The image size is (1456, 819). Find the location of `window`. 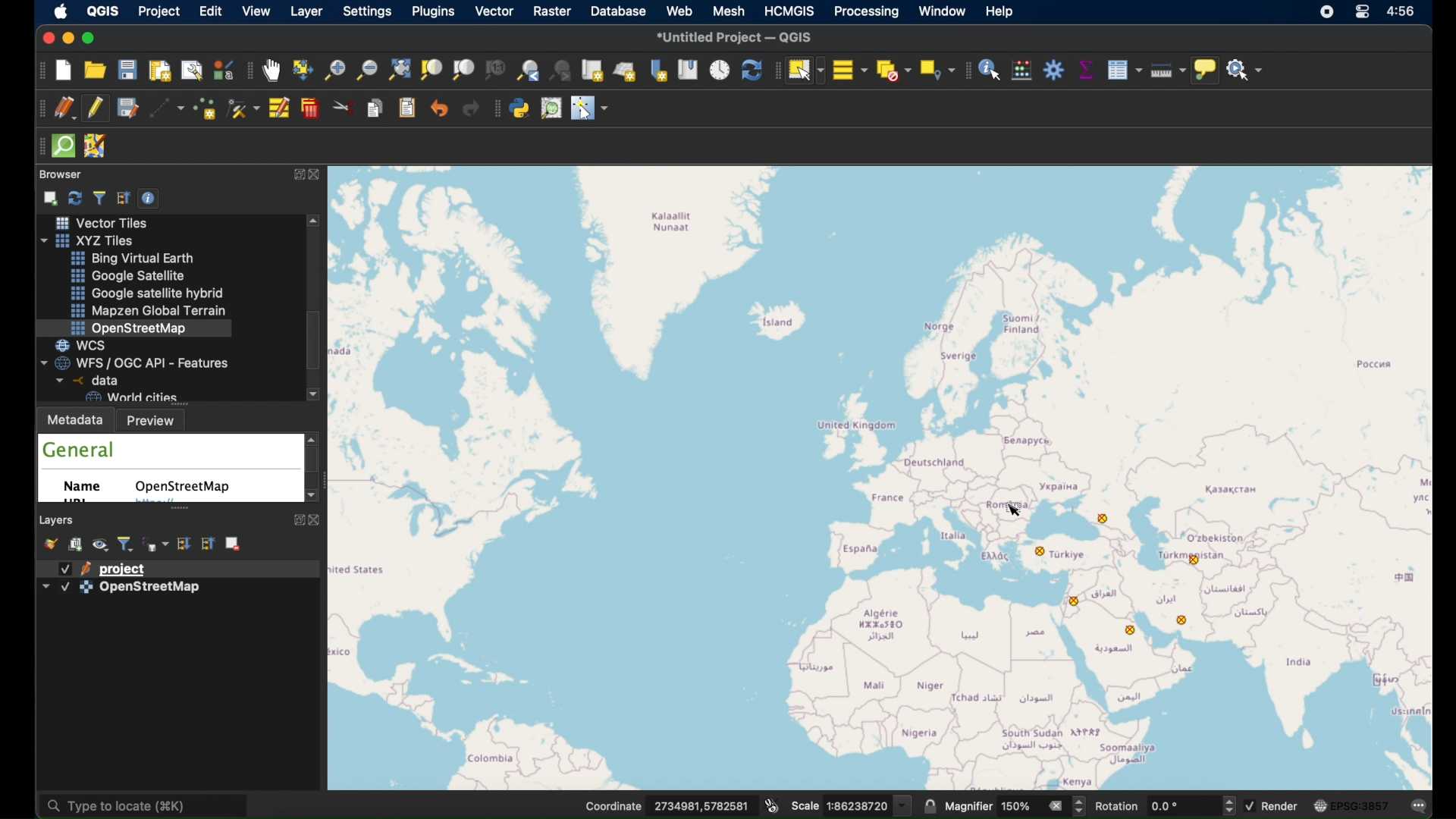

window is located at coordinates (943, 12).